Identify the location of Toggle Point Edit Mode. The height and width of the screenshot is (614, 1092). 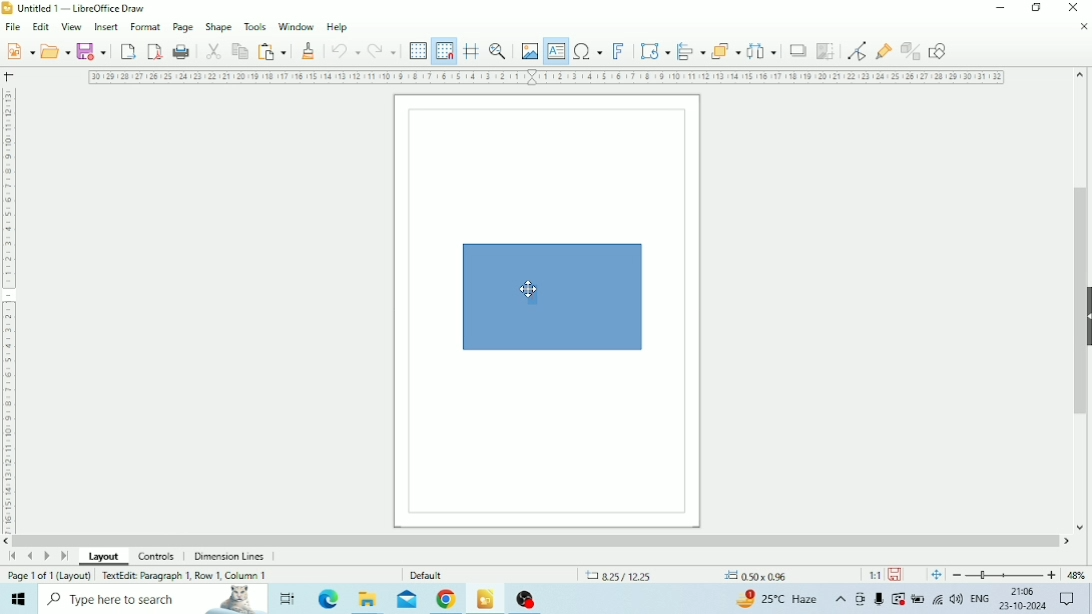
(858, 52).